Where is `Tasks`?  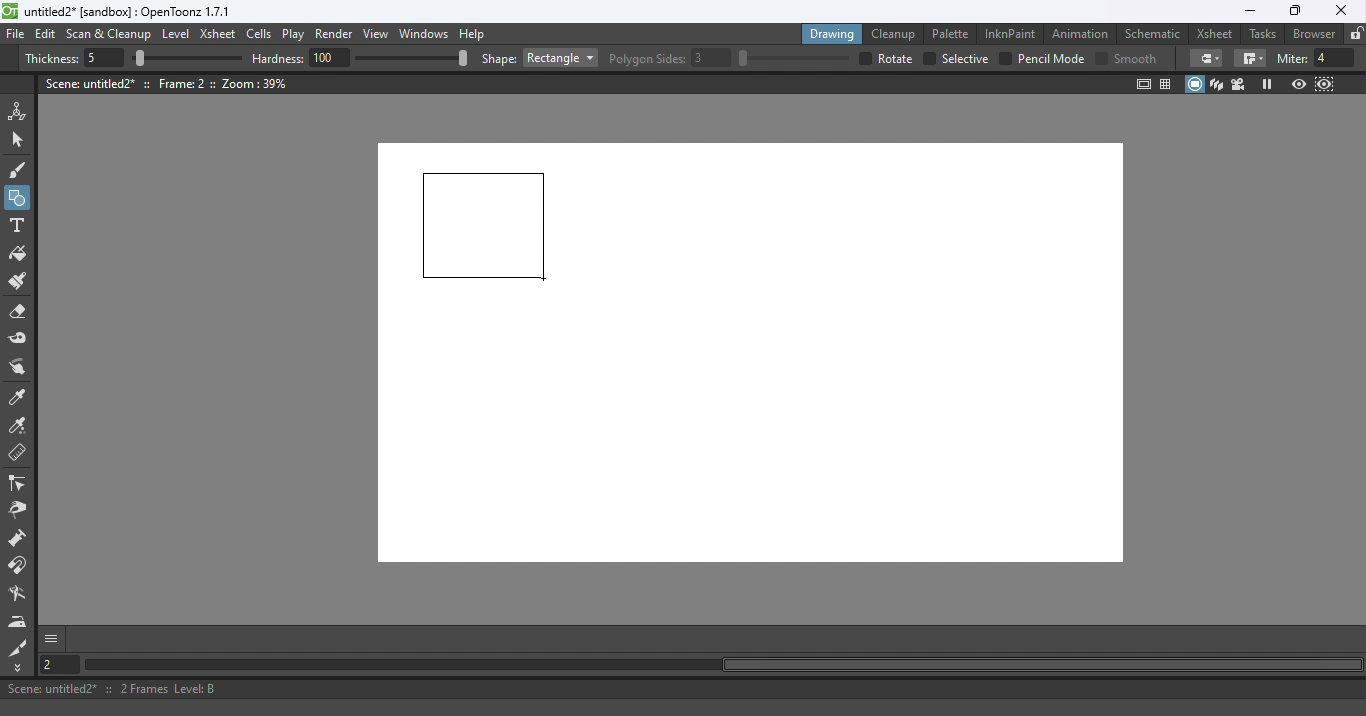
Tasks is located at coordinates (1264, 34).